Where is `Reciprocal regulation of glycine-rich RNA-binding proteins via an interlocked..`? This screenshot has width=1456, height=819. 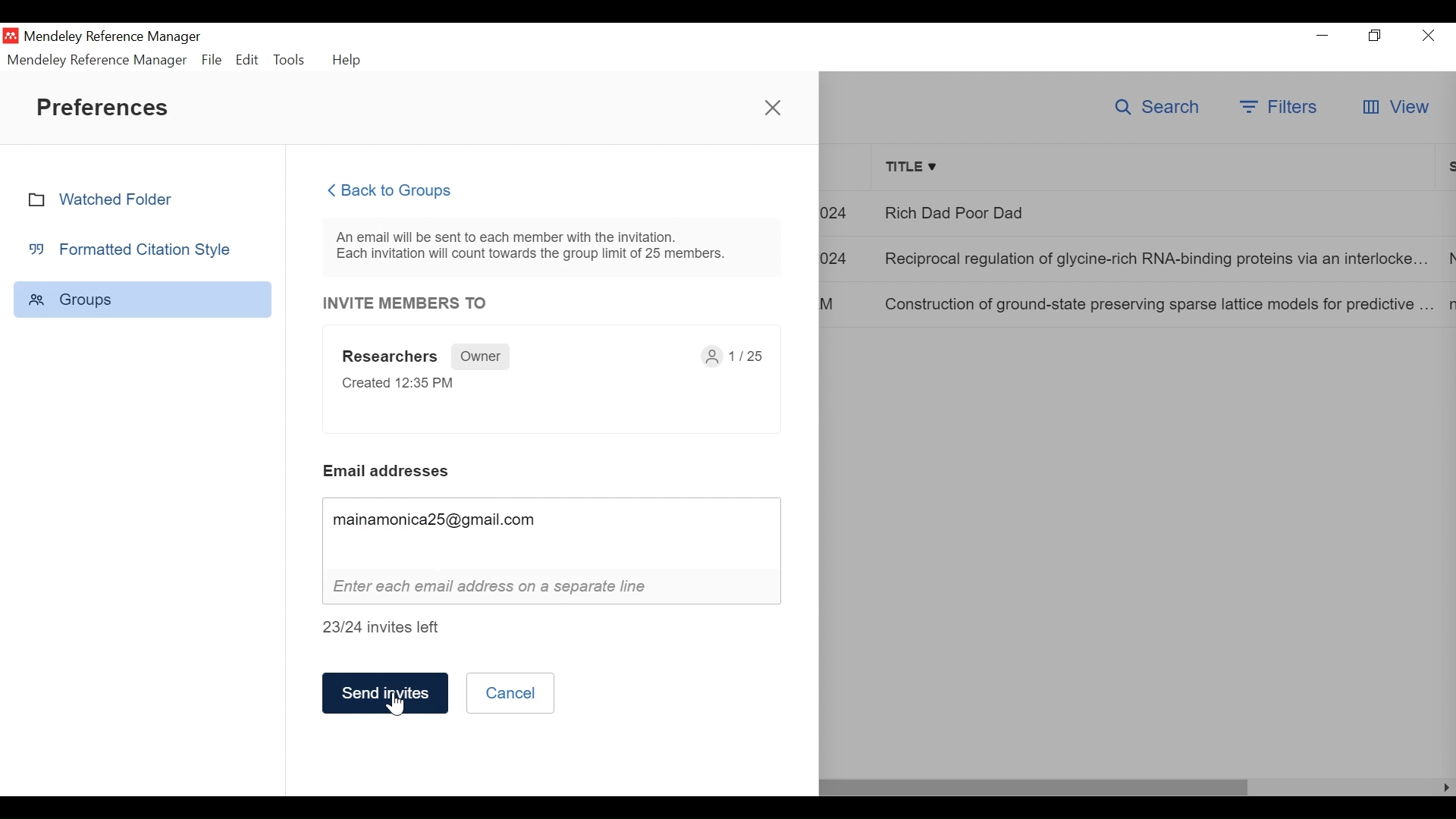
Reciprocal regulation of glycine-rich RNA-binding proteins via an interlocked.. is located at coordinates (1159, 257).